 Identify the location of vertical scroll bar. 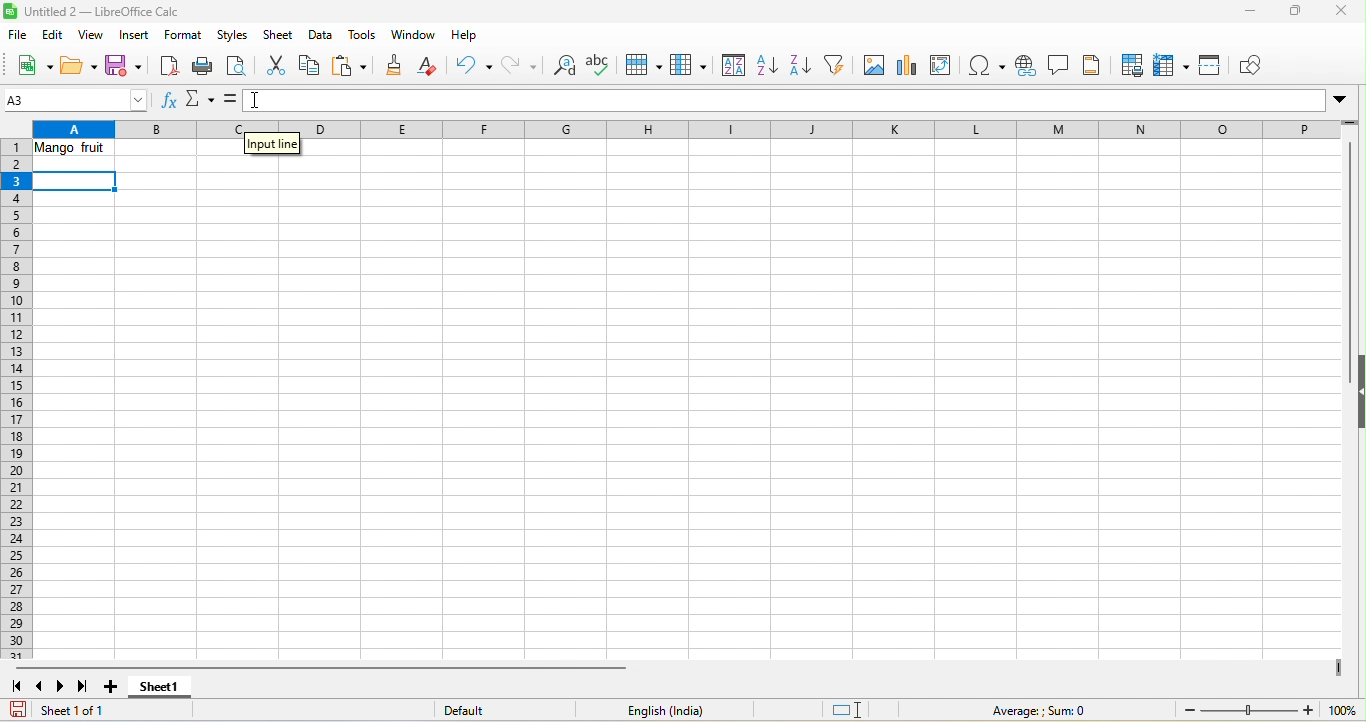
(1348, 244).